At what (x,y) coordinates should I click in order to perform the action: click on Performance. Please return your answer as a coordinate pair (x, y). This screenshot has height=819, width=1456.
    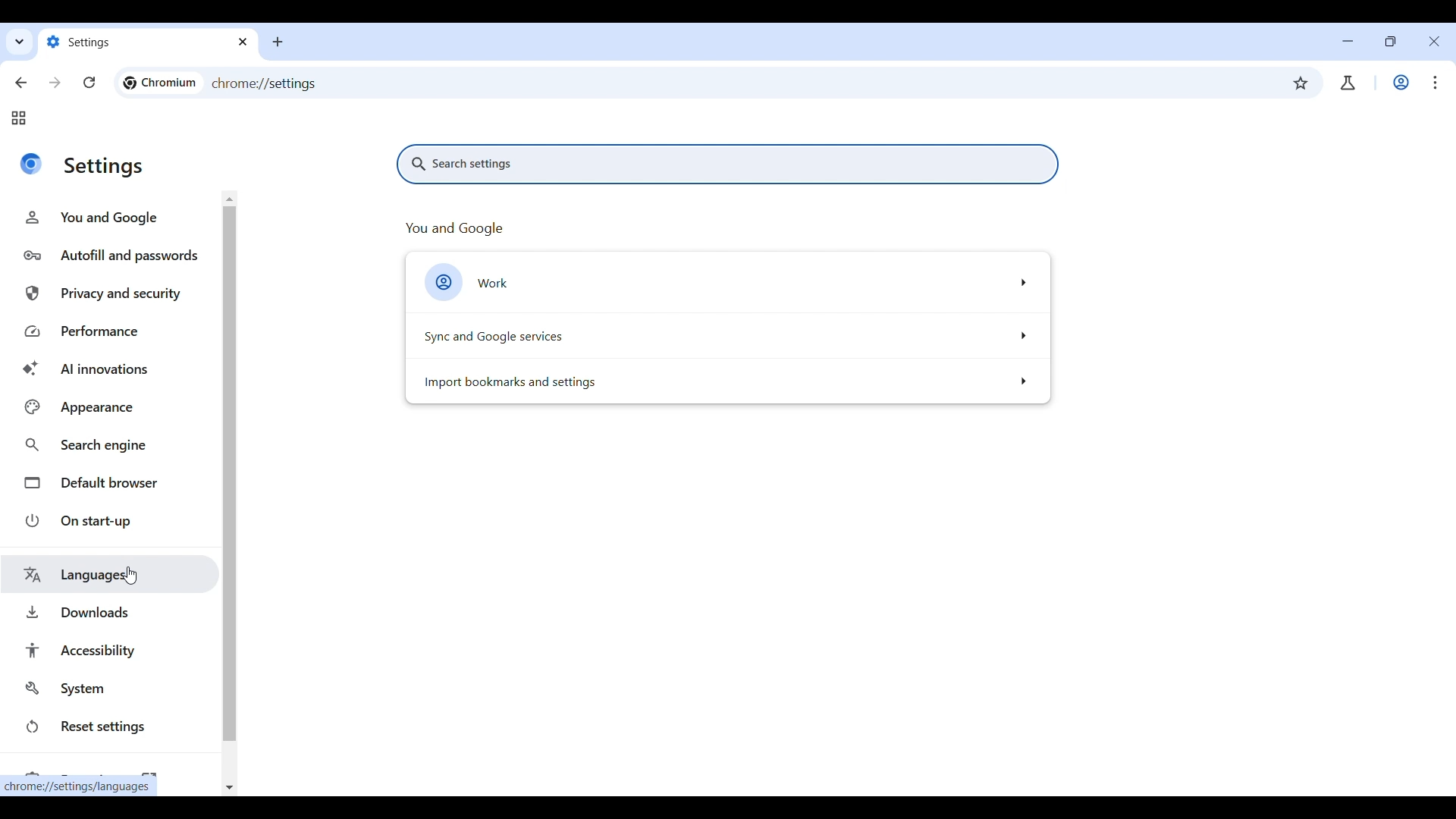
    Looking at the image, I should click on (114, 332).